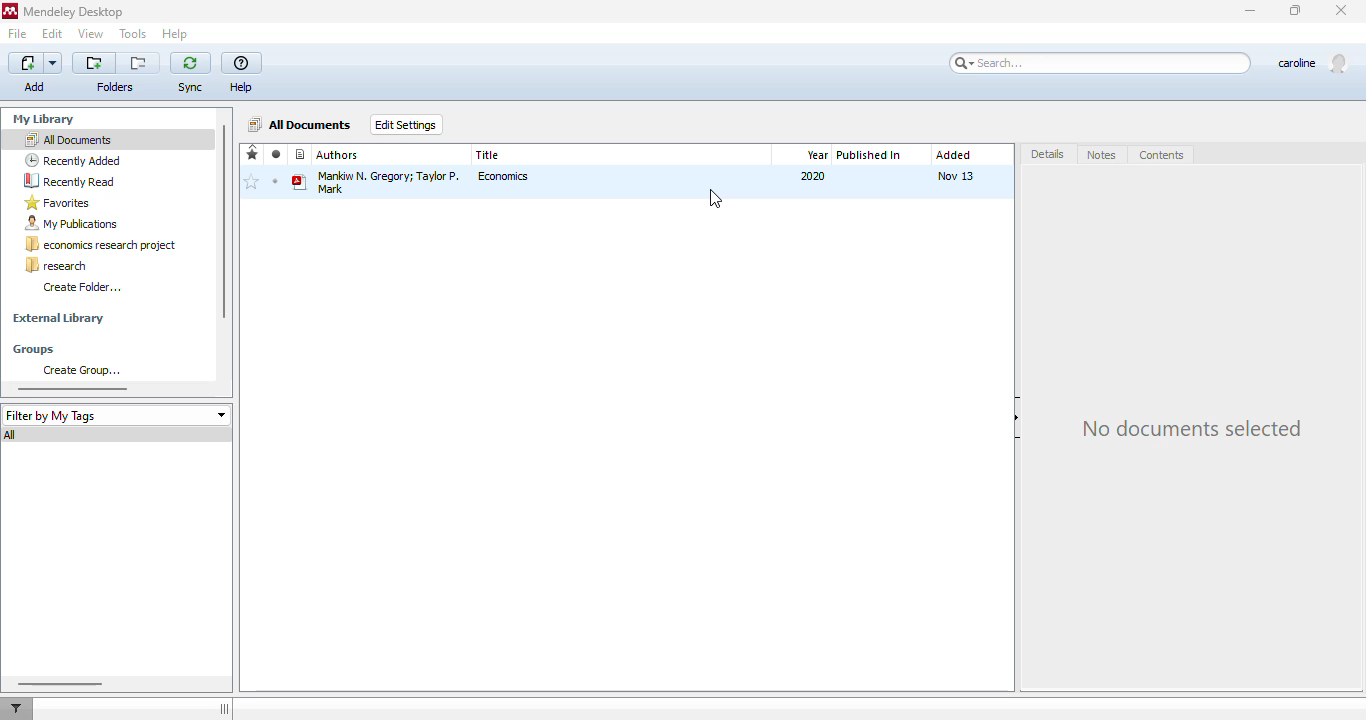 Image resolution: width=1366 pixels, height=720 pixels. What do you see at coordinates (16, 709) in the screenshot?
I see `filter documents by author, tag or publication.` at bounding box center [16, 709].